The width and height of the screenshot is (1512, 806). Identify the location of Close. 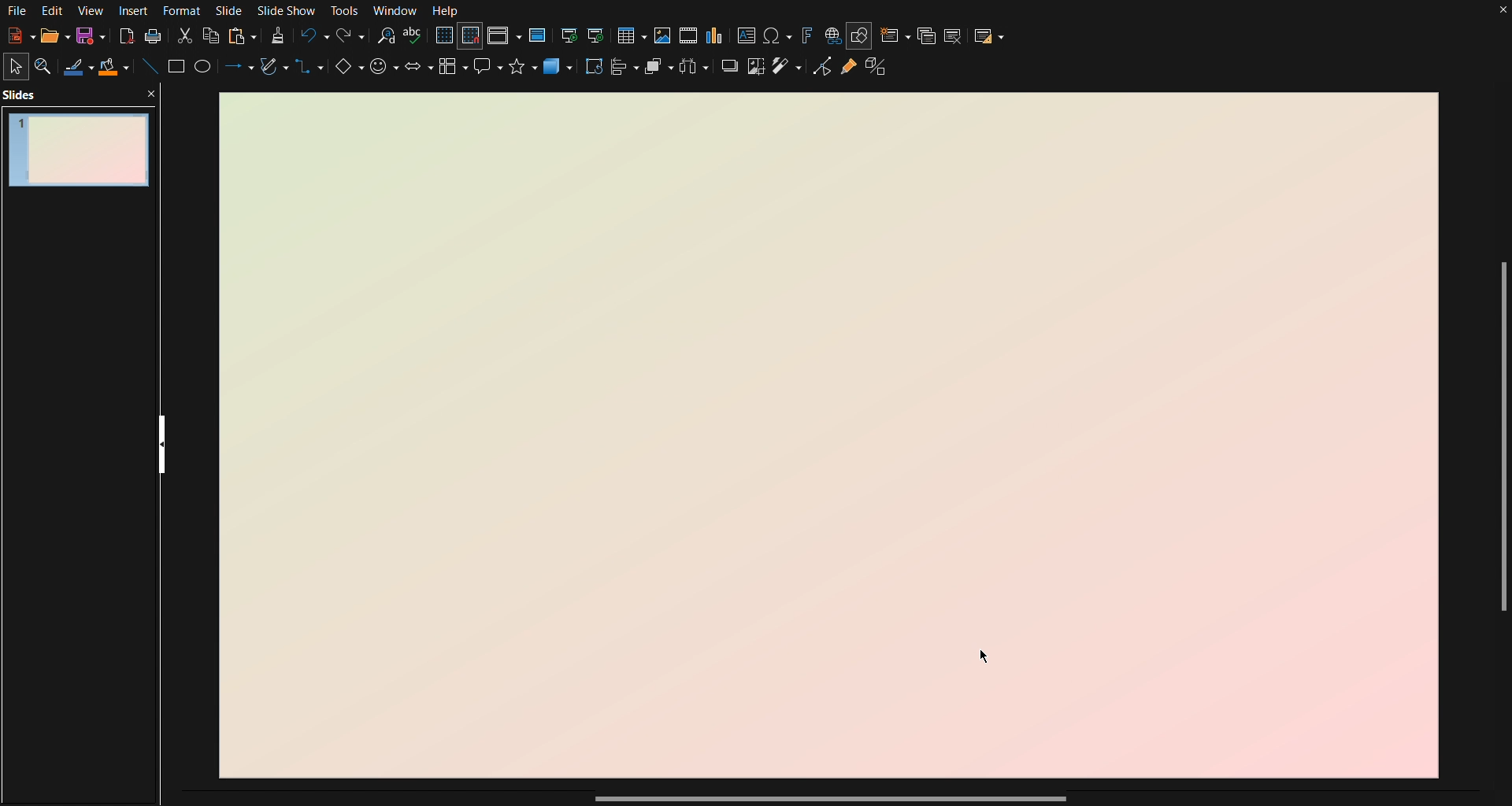
(1503, 13).